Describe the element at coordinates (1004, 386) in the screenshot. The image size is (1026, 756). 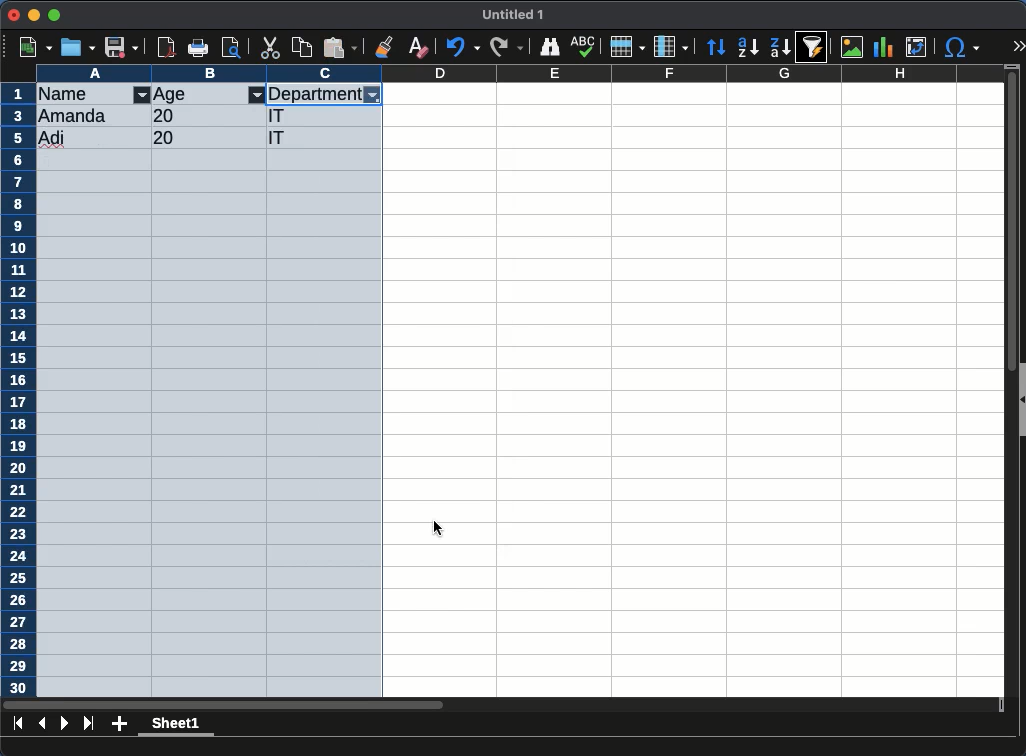
I see `scroll` at that location.